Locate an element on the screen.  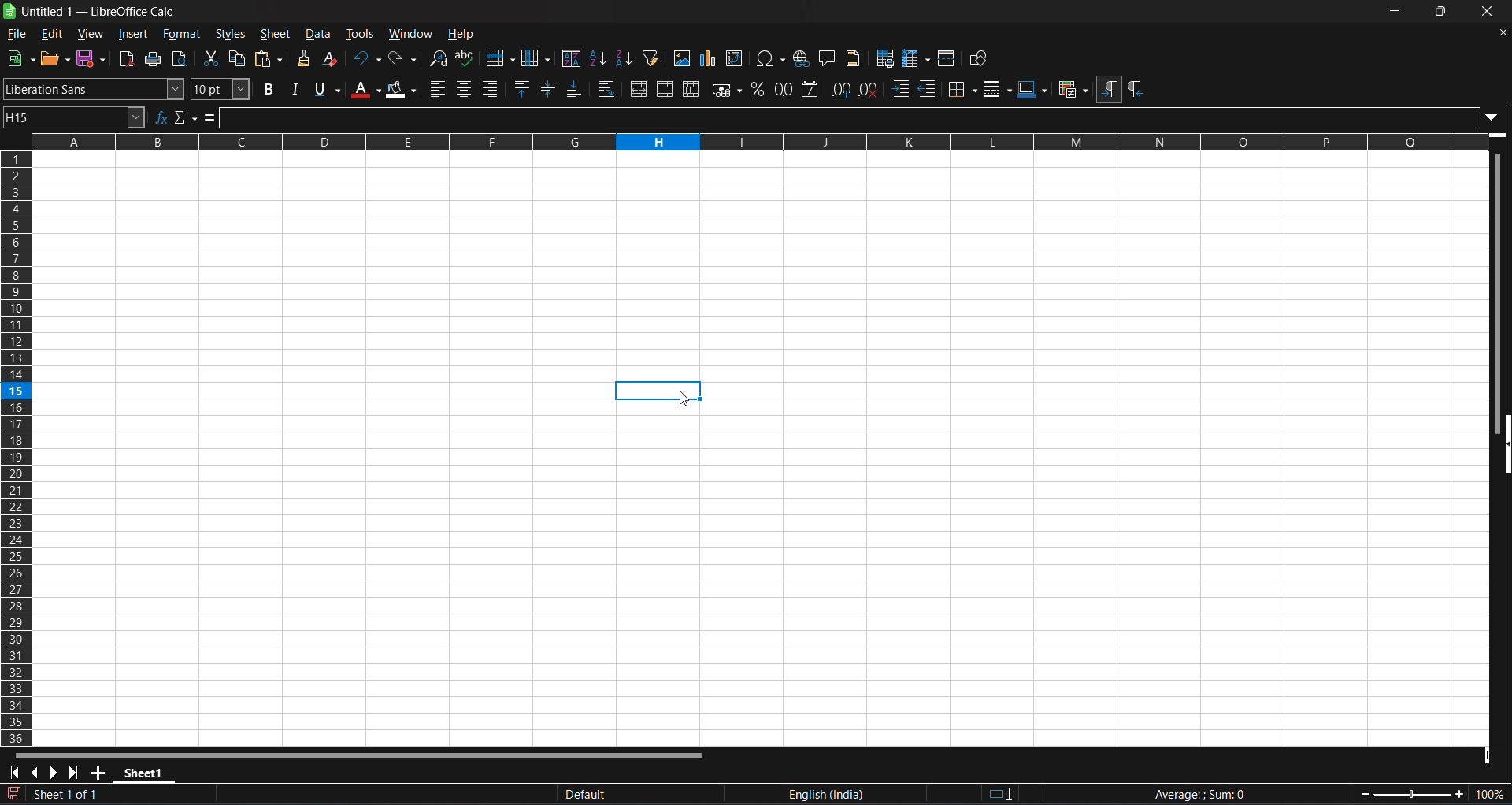
italic is located at coordinates (296, 91).